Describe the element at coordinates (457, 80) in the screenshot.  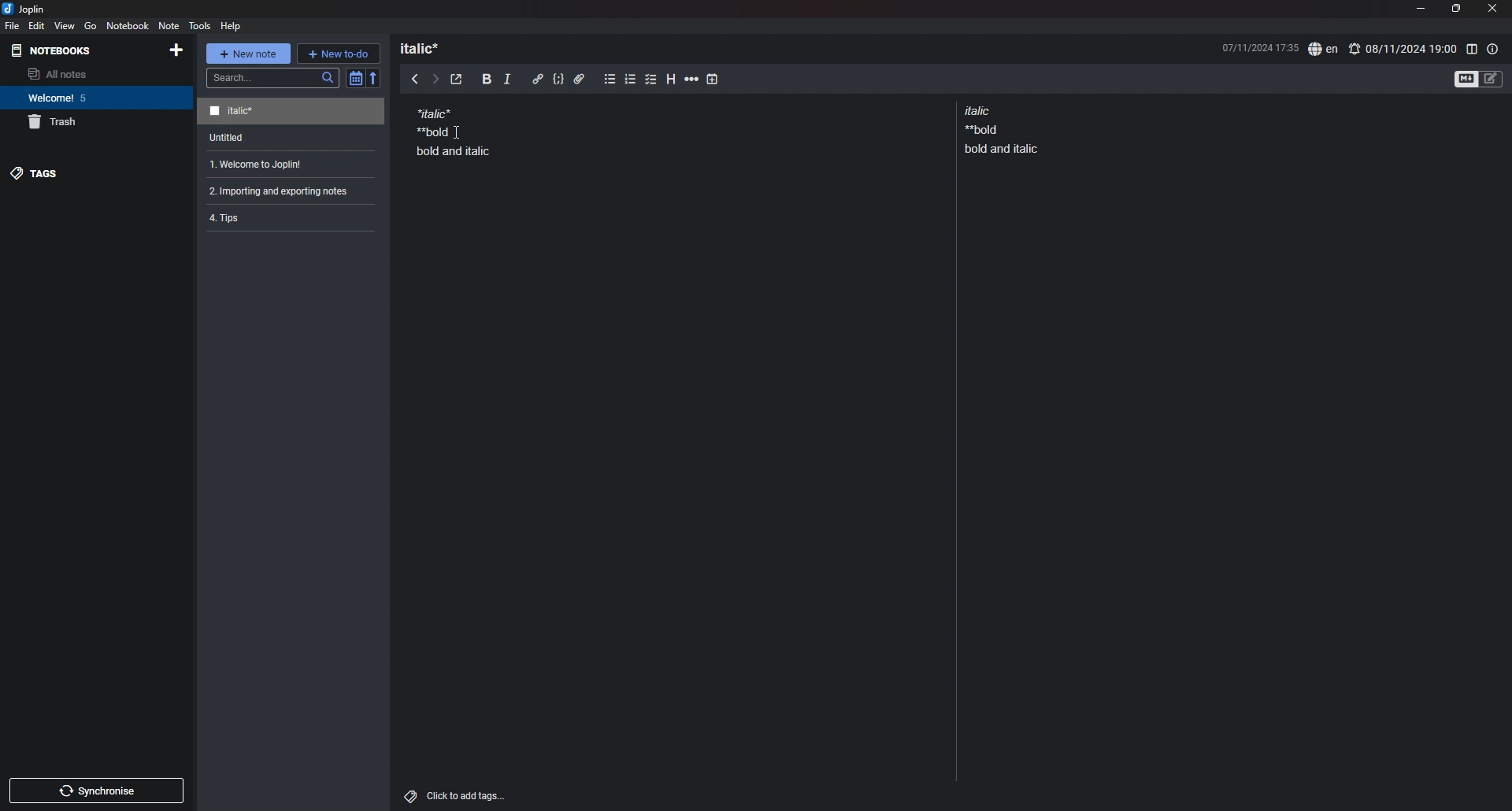
I see `toggle external editor` at that location.